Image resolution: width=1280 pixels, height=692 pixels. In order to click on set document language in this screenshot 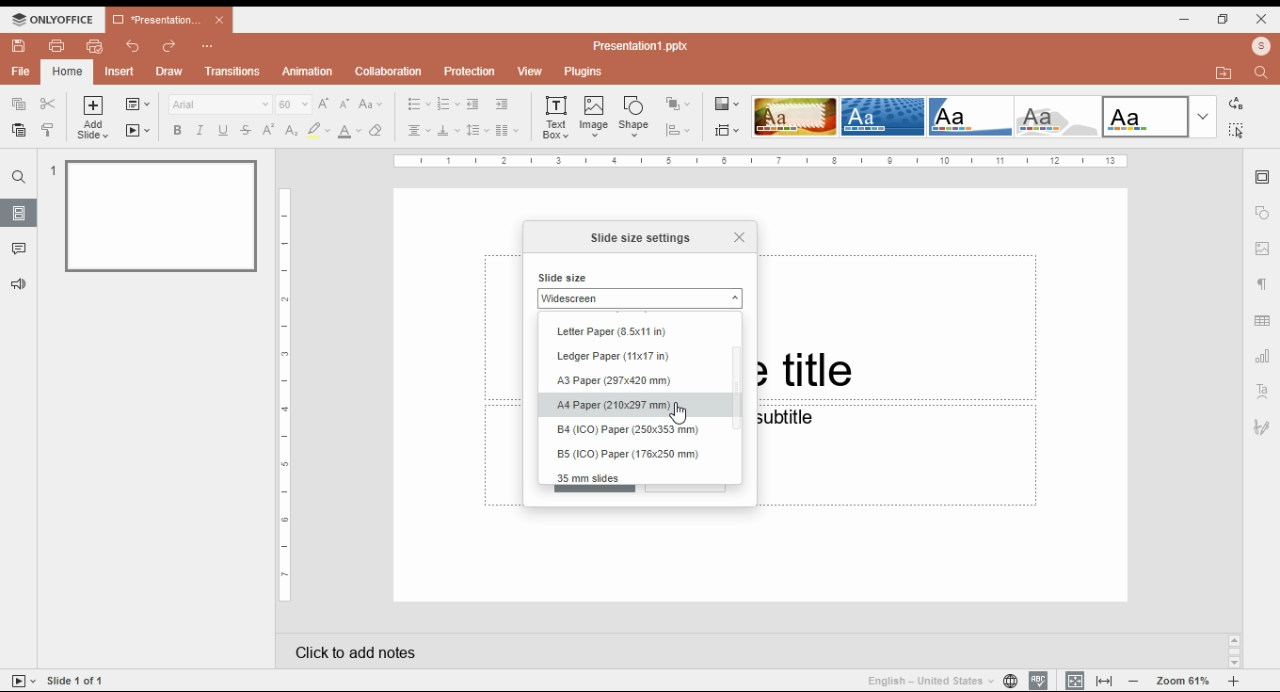, I will do `click(1010, 680)`.